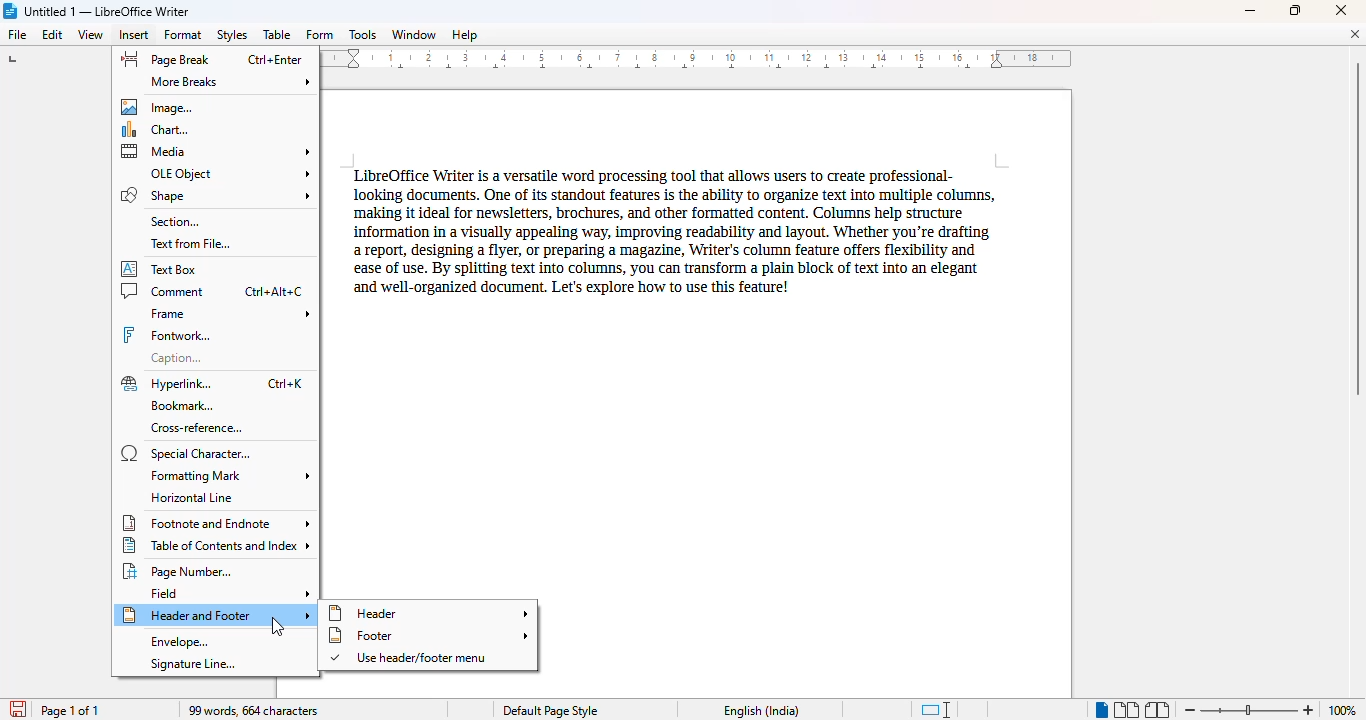  Describe the element at coordinates (255, 711) in the screenshot. I see `99 words, 664 characters` at that location.